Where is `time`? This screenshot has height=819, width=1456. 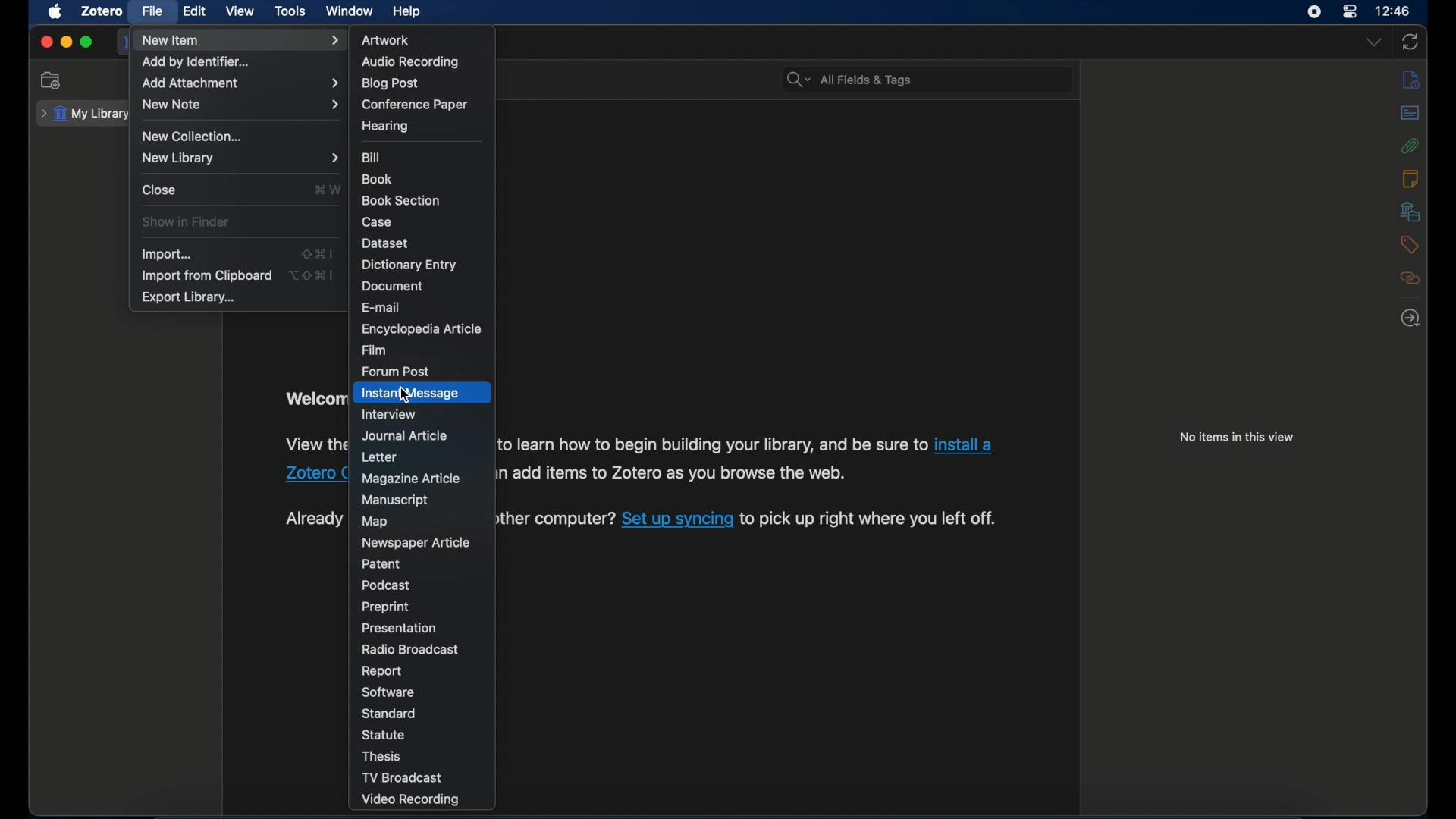
time is located at coordinates (1392, 11).